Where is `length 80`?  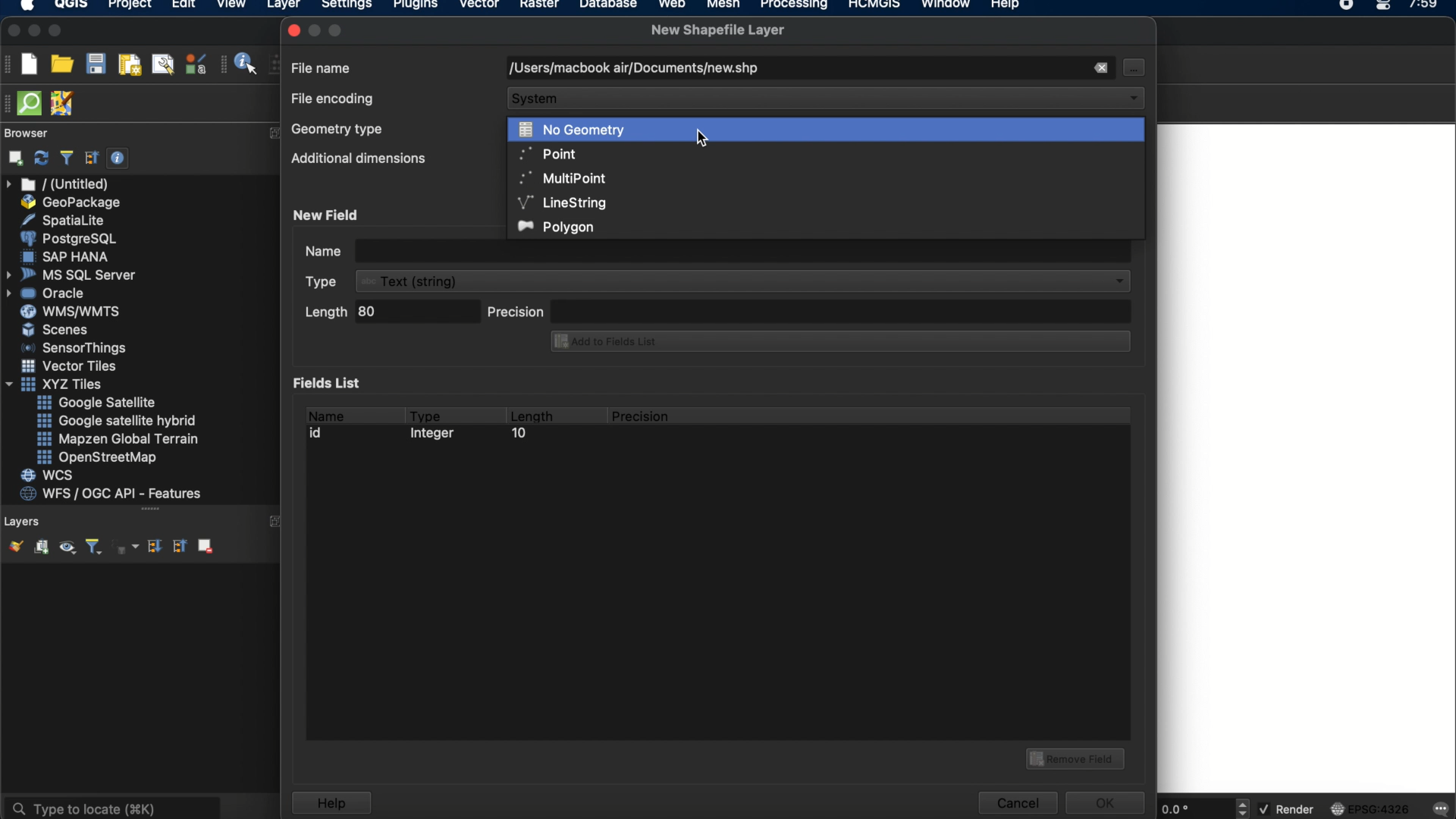
length 80 is located at coordinates (389, 314).